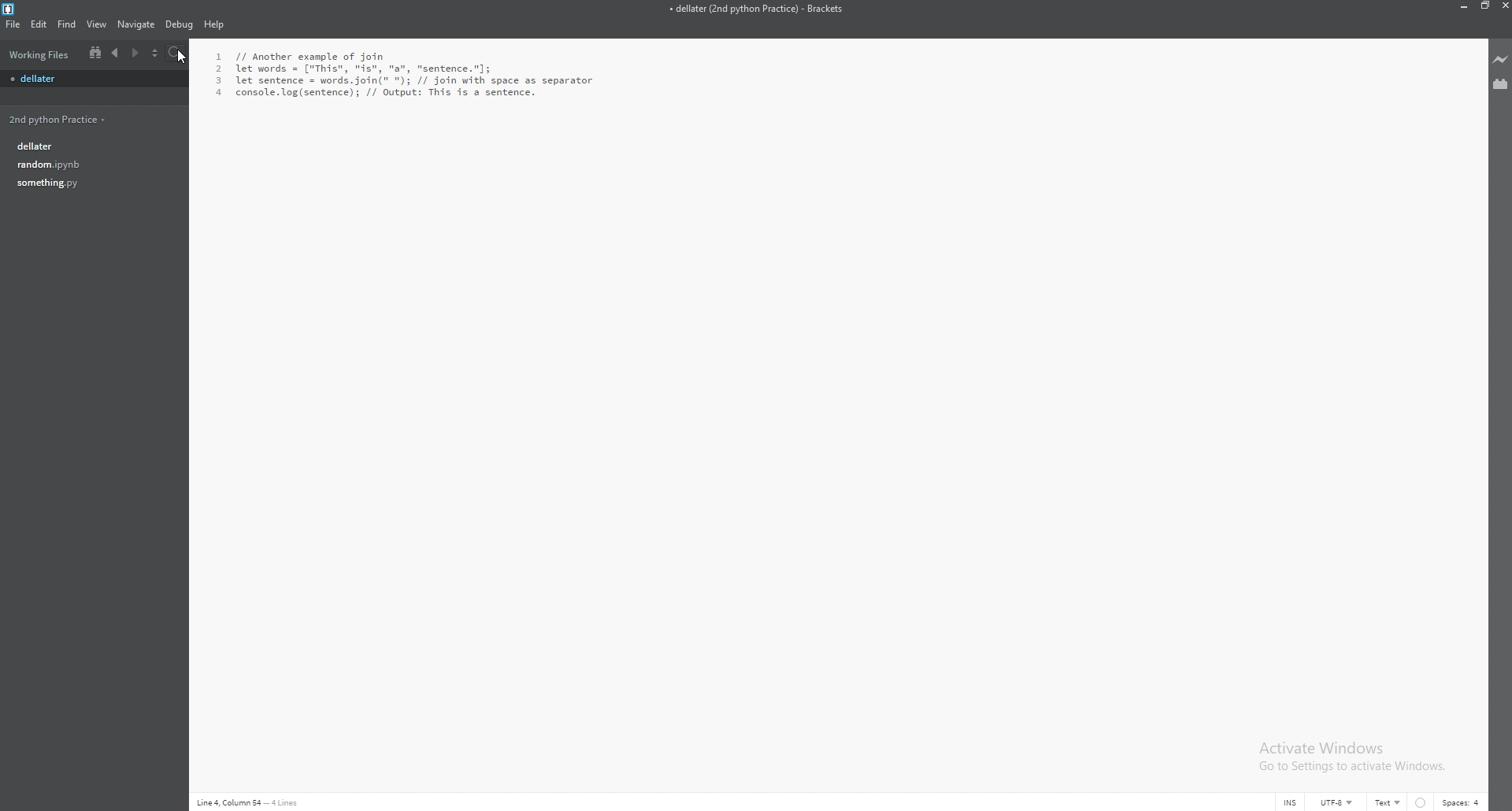 This screenshot has height=811, width=1512. Describe the element at coordinates (155, 53) in the screenshot. I see `choose` at that location.